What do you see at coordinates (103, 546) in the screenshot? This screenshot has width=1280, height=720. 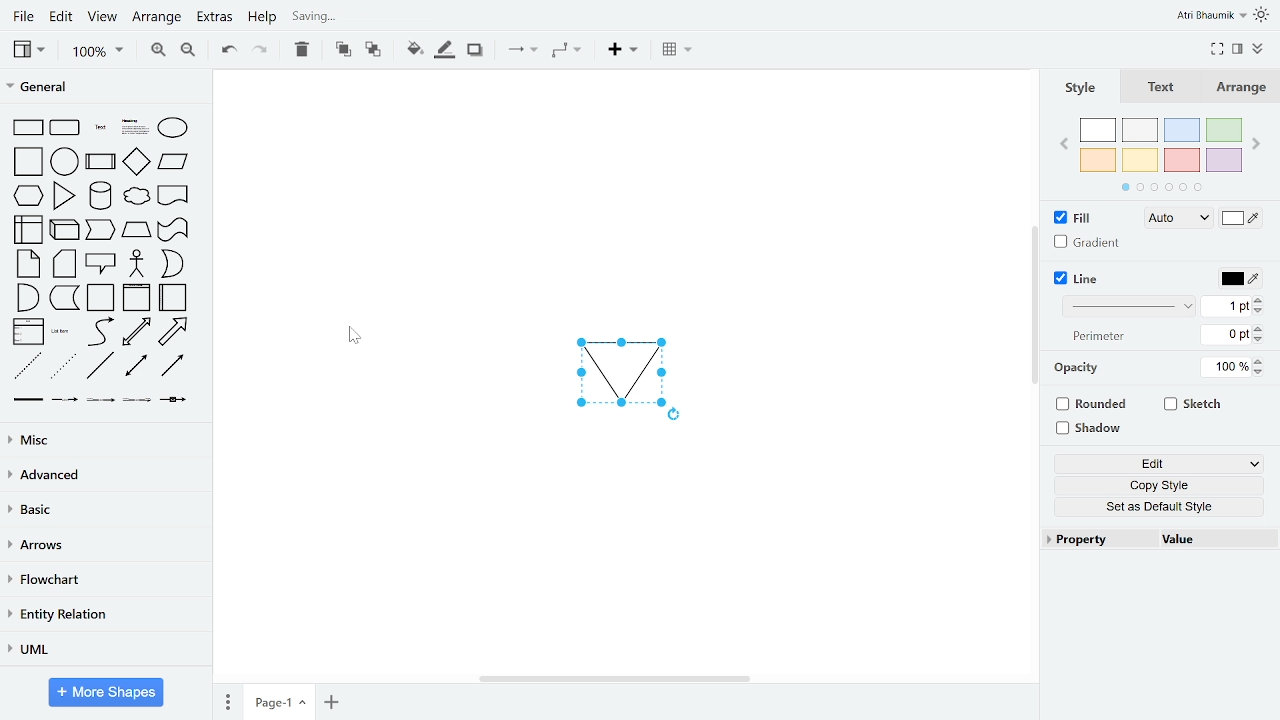 I see `arrows` at bounding box center [103, 546].